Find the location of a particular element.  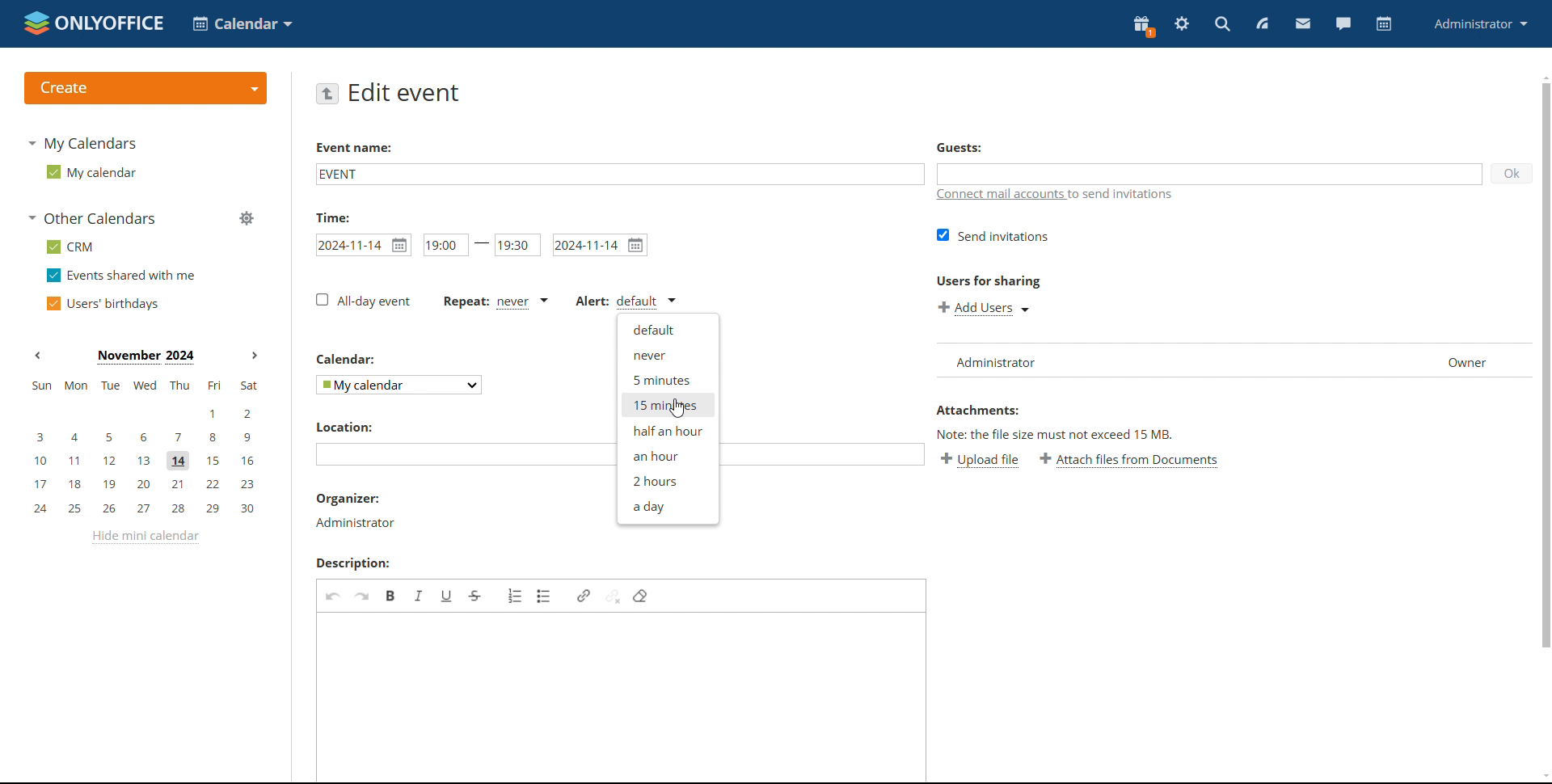

note is located at coordinates (1076, 434).